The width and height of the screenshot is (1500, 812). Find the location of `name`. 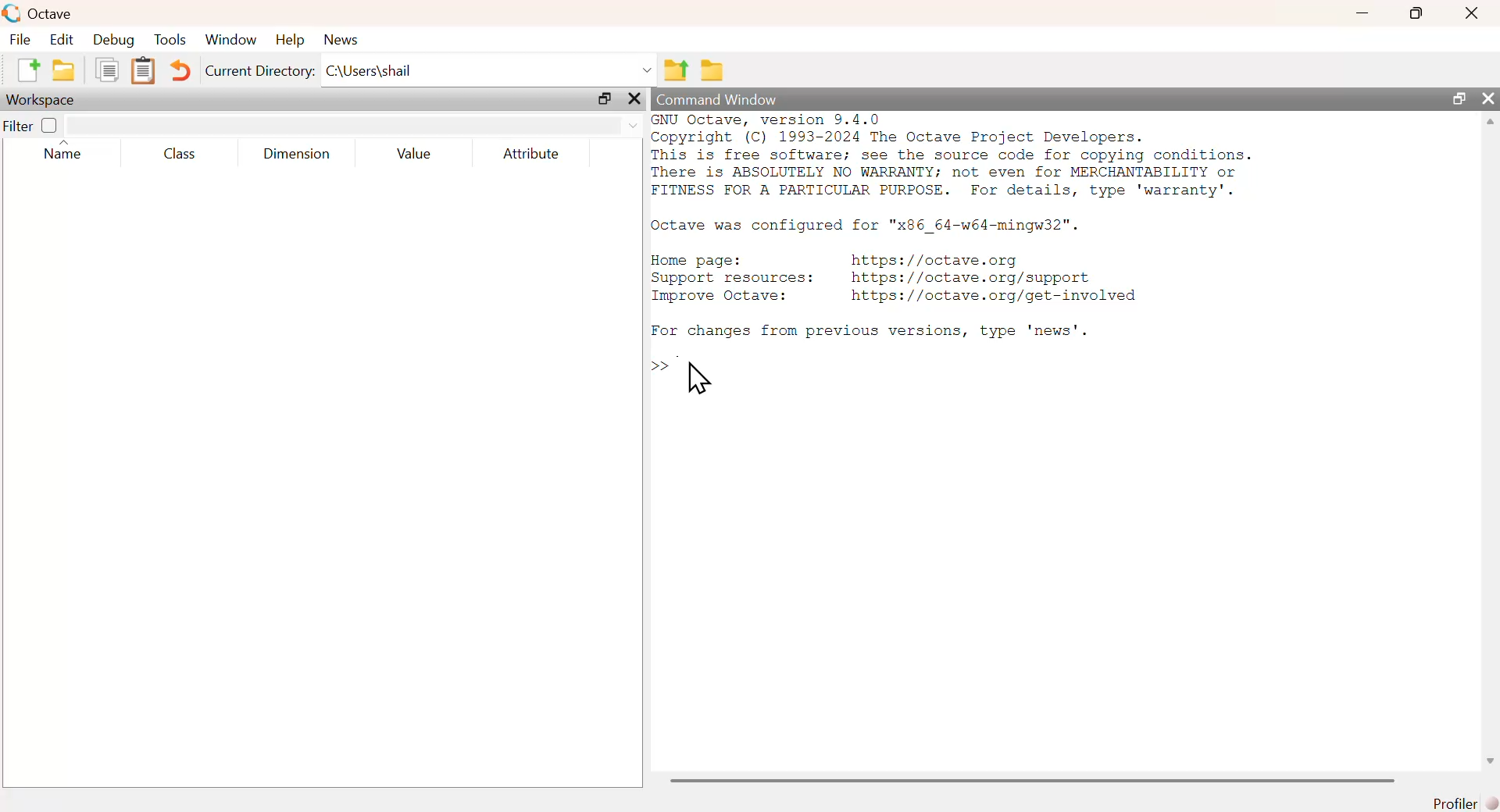

name is located at coordinates (62, 150).